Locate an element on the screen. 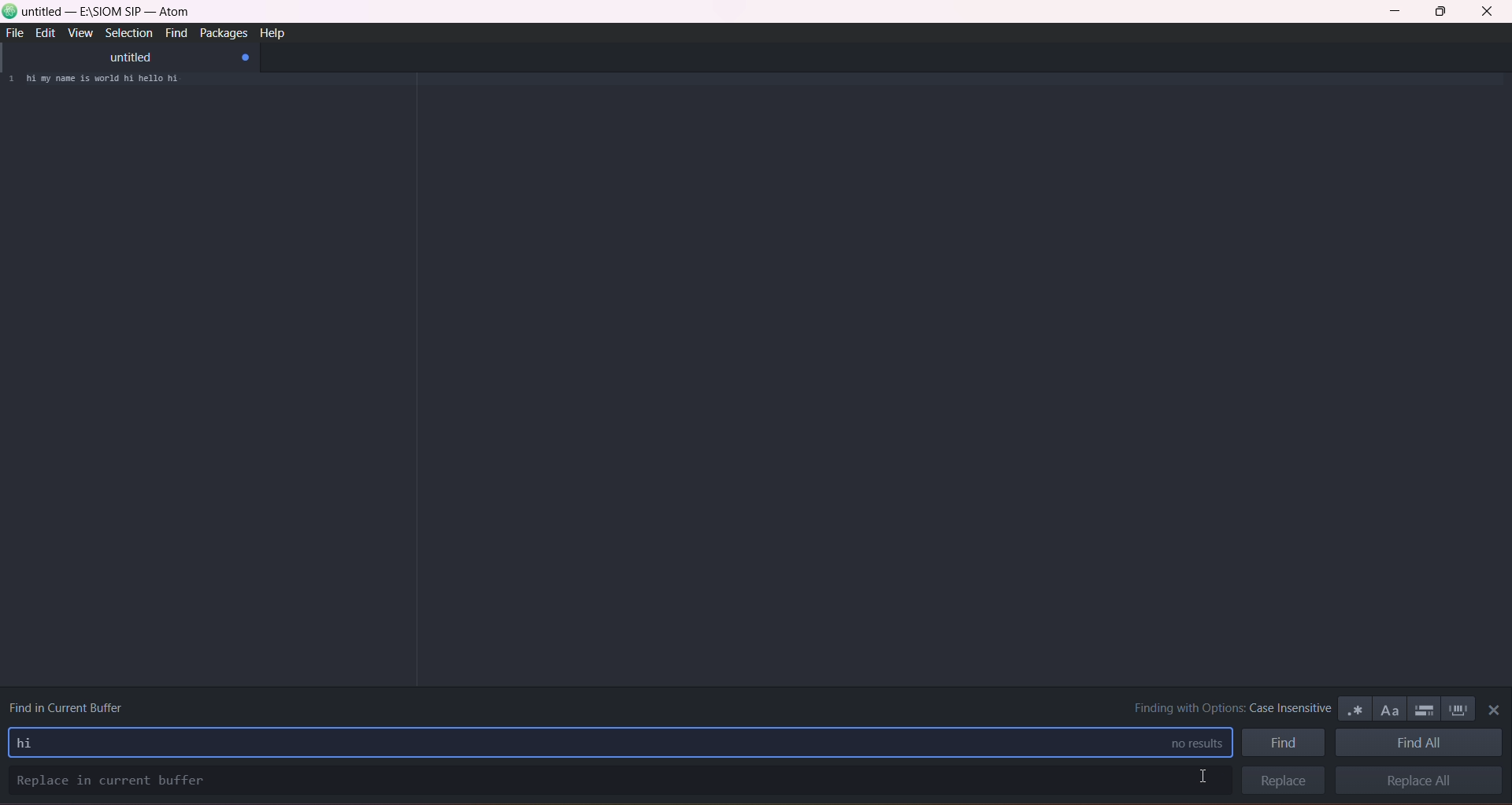 The width and height of the screenshot is (1512, 805). selection is located at coordinates (127, 33).